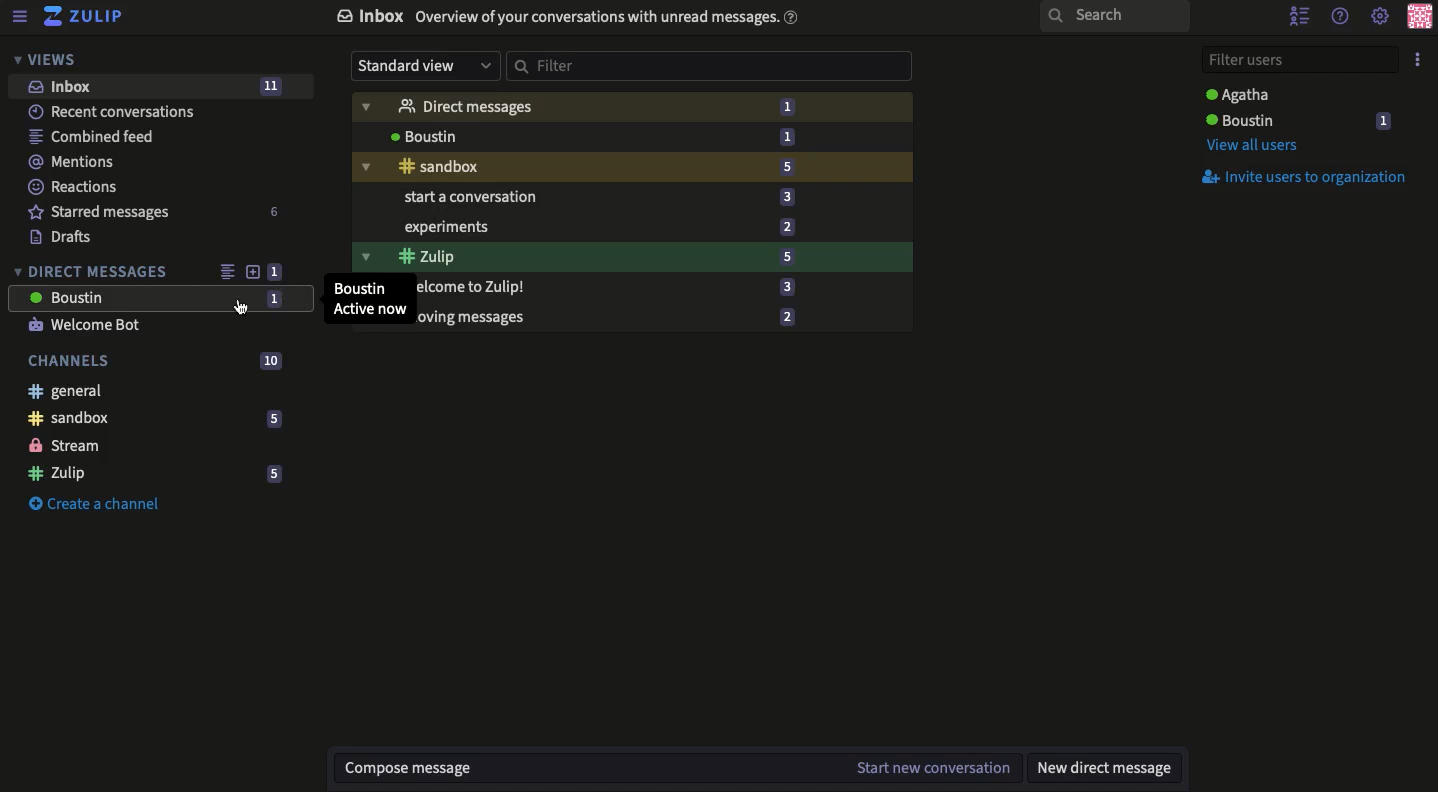  I want to click on Filter, so click(710, 66).